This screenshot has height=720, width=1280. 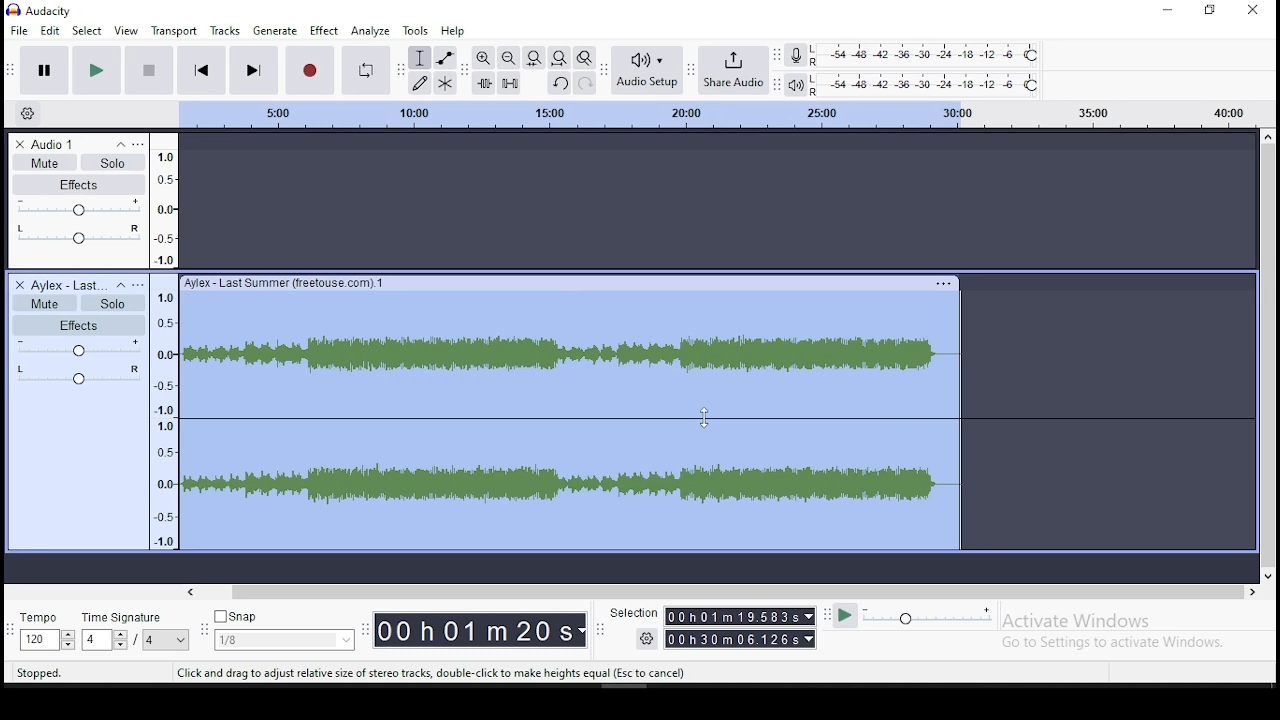 What do you see at coordinates (139, 142) in the screenshot?
I see `open menu` at bounding box center [139, 142].